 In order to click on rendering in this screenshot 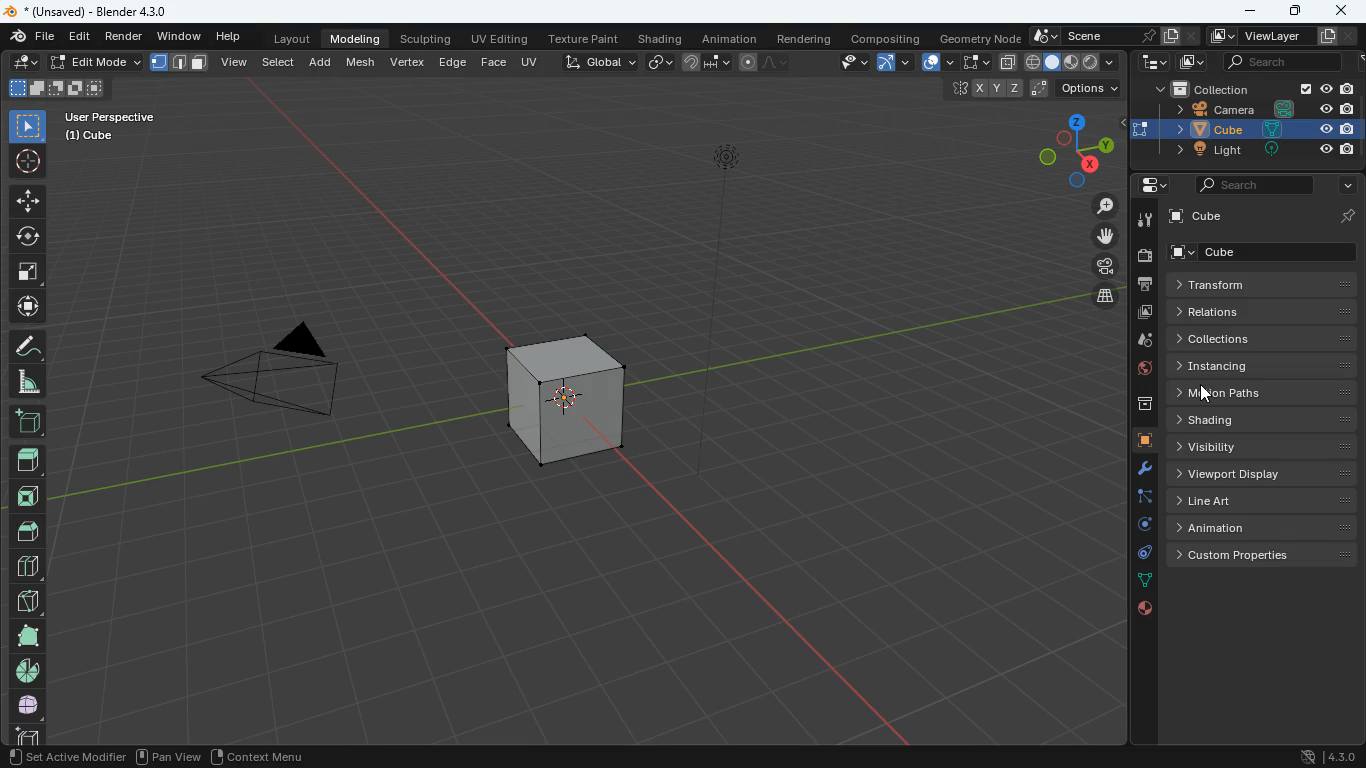, I will do `click(805, 39)`.